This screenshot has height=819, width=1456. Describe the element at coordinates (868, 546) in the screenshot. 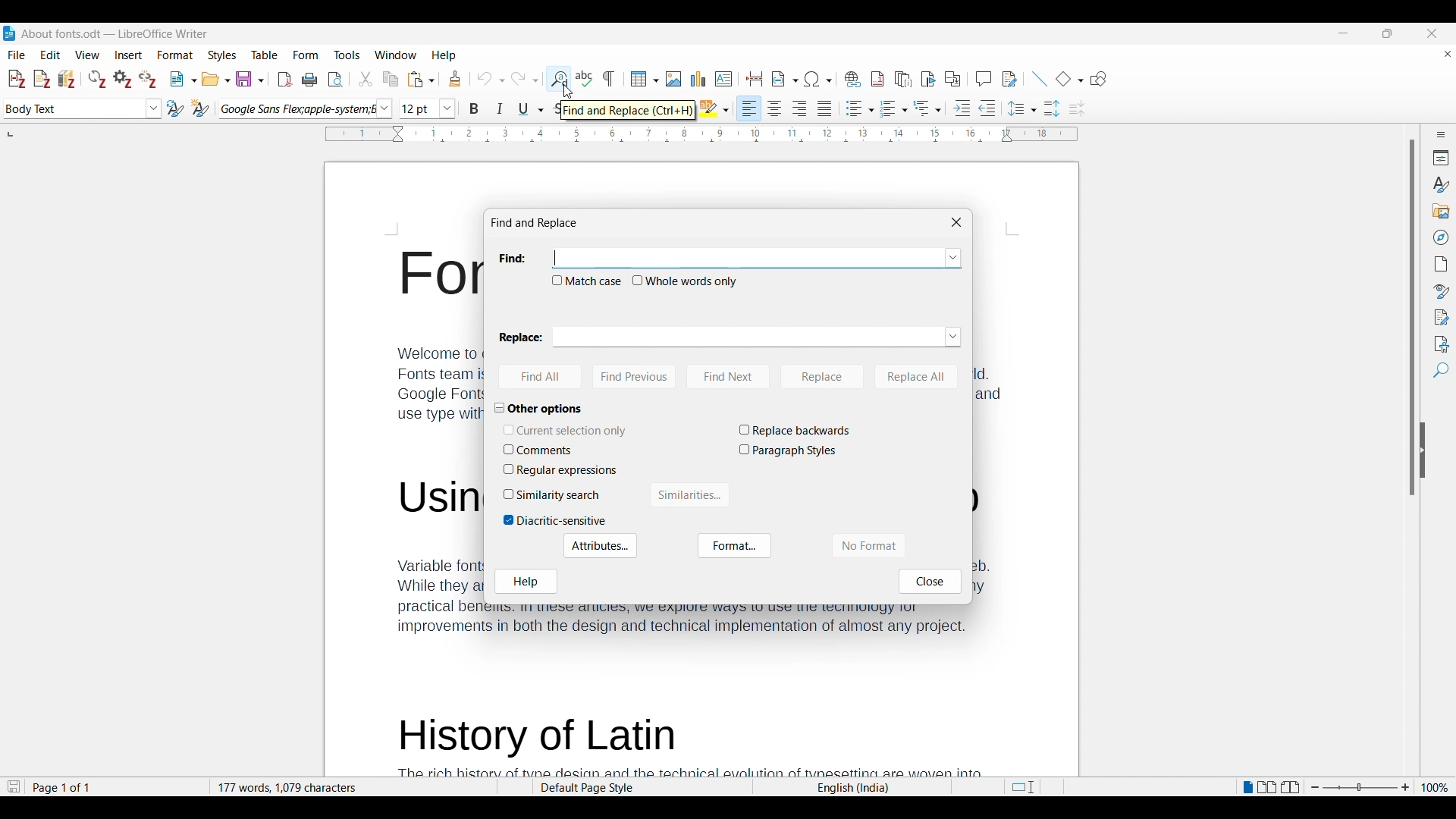

I see `No format` at that location.